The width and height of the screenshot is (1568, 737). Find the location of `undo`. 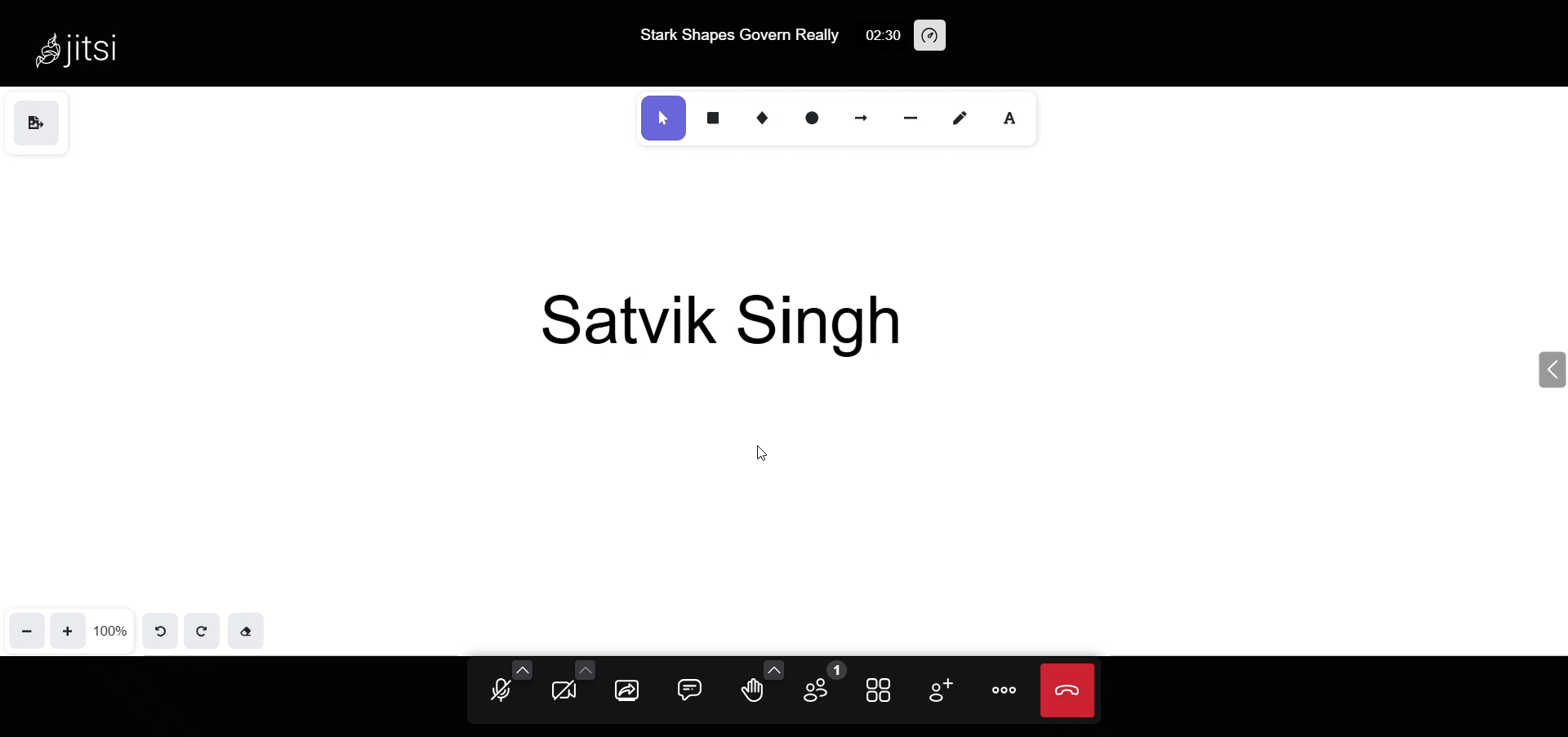

undo is located at coordinates (162, 628).